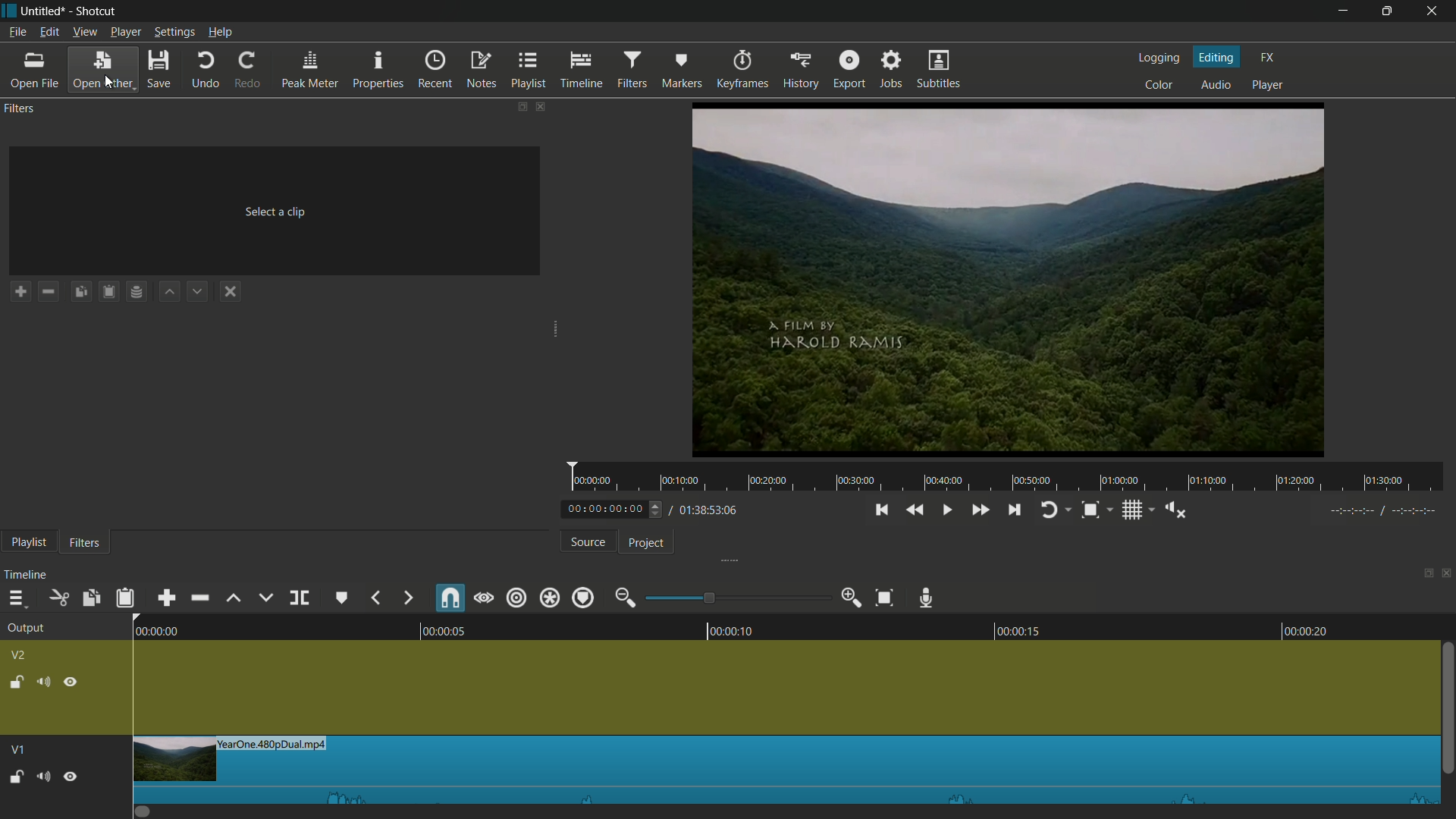 The width and height of the screenshot is (1456, 819). I want to click on V1, so click(16, 745).